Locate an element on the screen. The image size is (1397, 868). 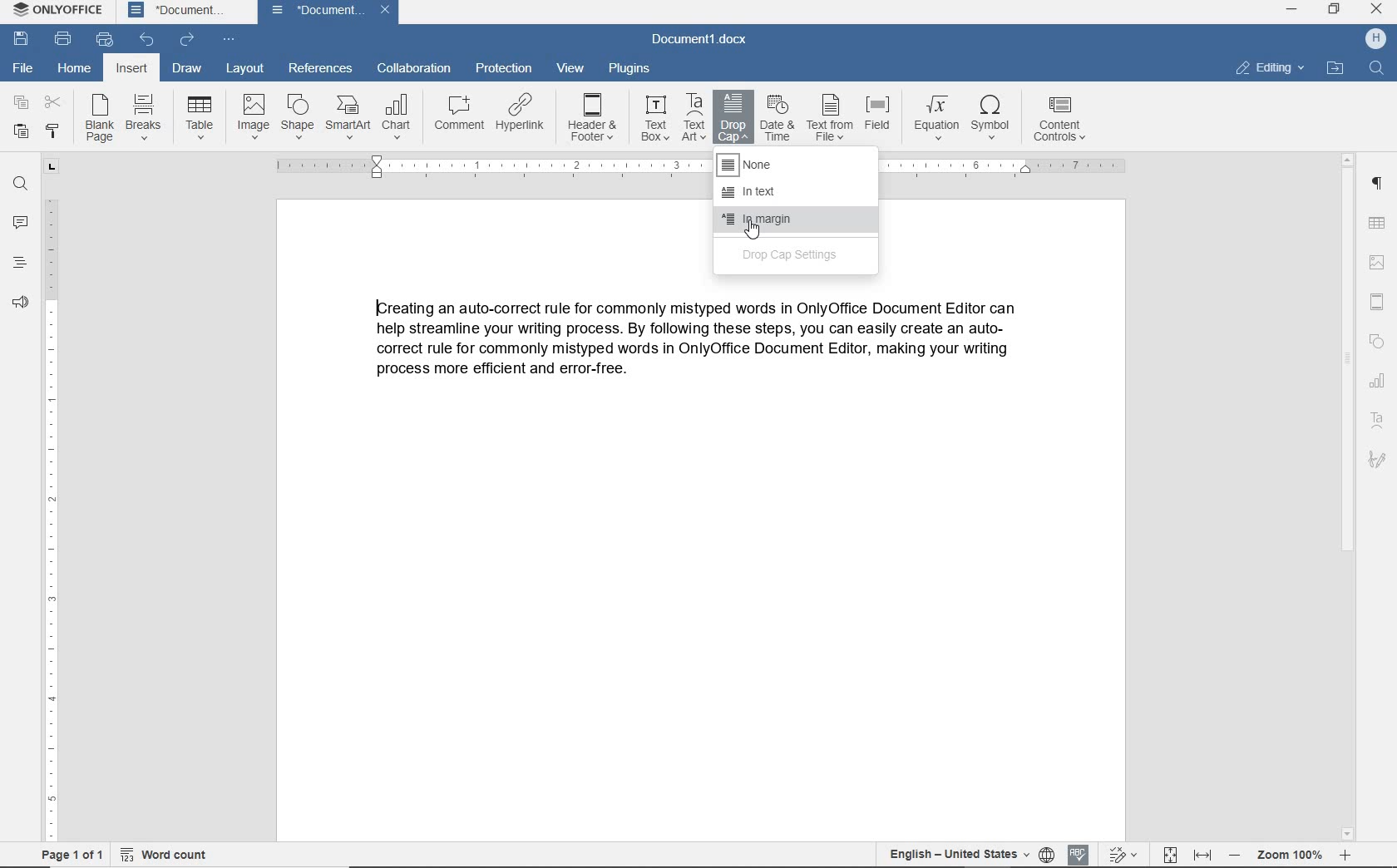
file is located at coordinates (22, 68).